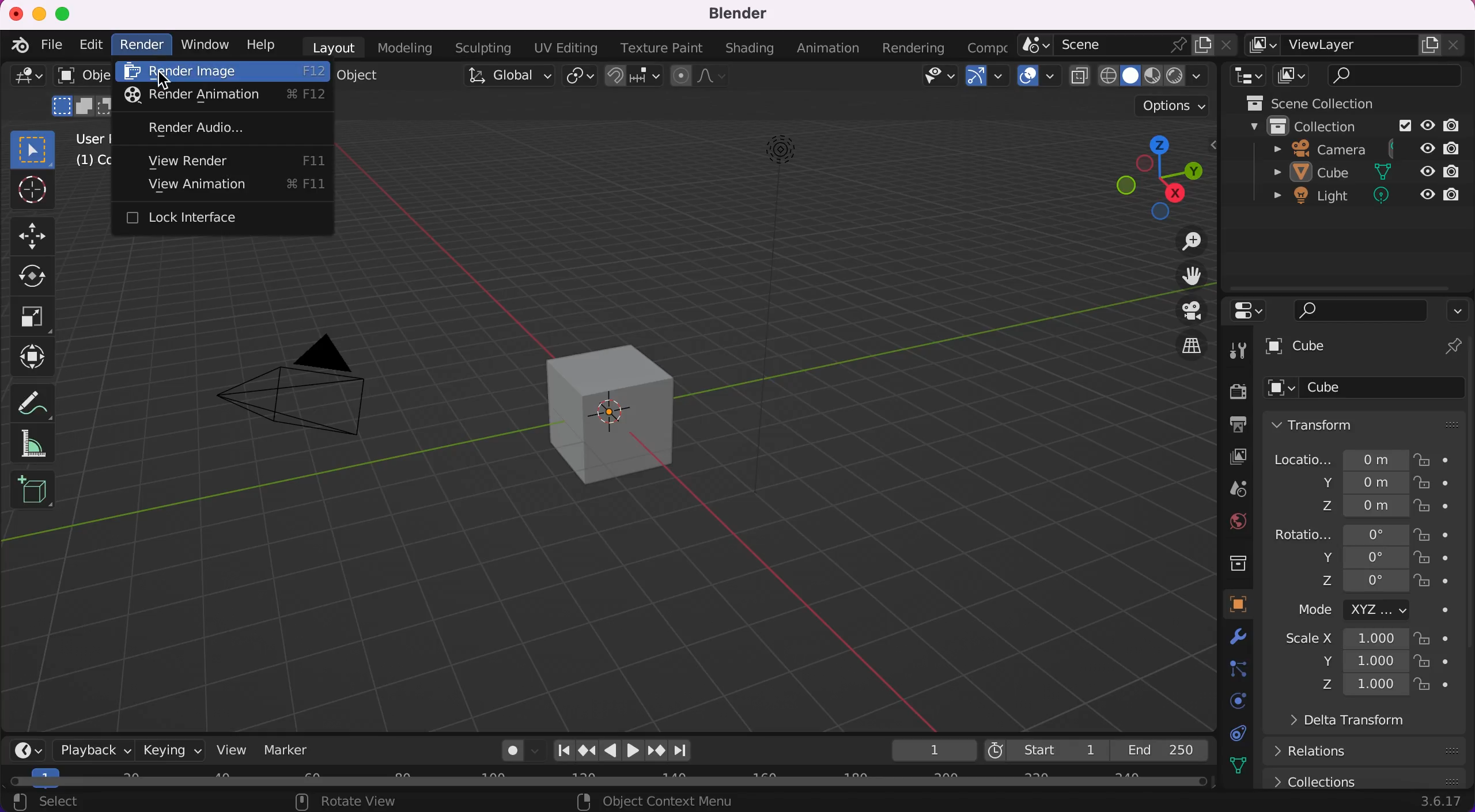 Image resolution: width=1475 pixels, height=812 pixels. What do you see at coordinates (1228, 523) in the screenshot?
I see `world` at bounding box center [1228, 523].